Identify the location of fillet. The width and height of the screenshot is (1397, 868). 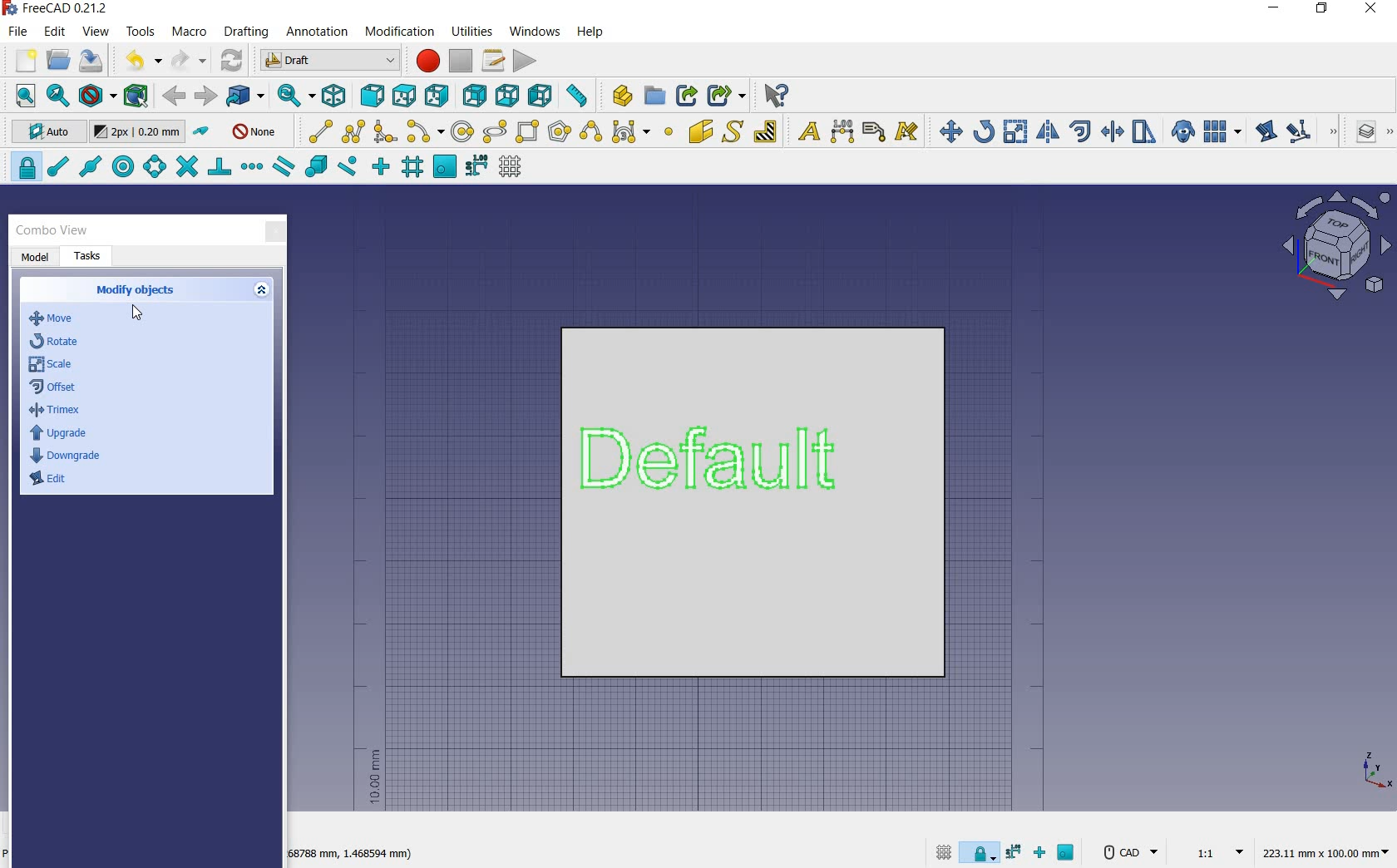
(386, 132).